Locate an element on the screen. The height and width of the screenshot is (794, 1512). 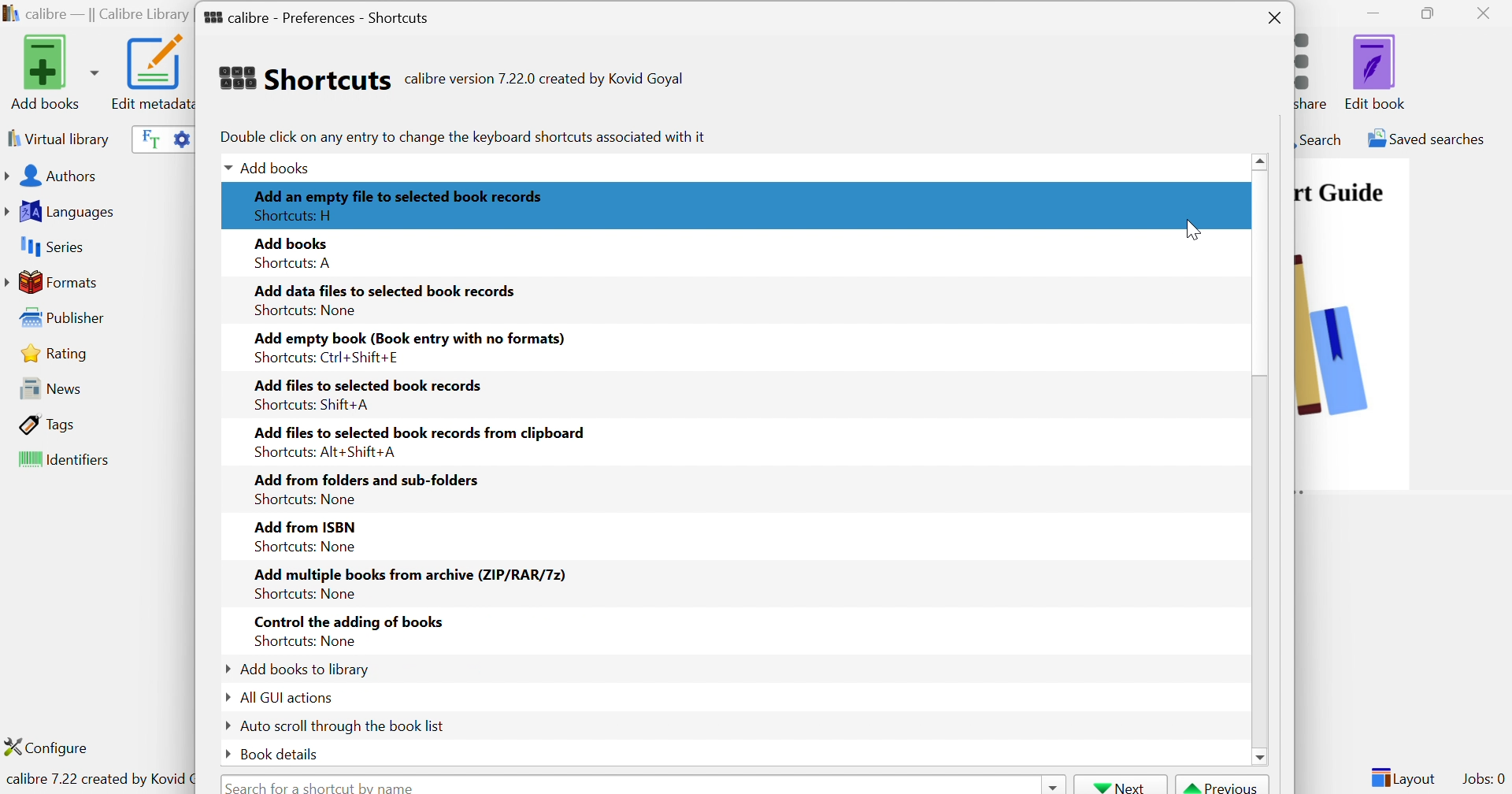
calibre - || Calibre Library || is located at coordinates (95, 15).